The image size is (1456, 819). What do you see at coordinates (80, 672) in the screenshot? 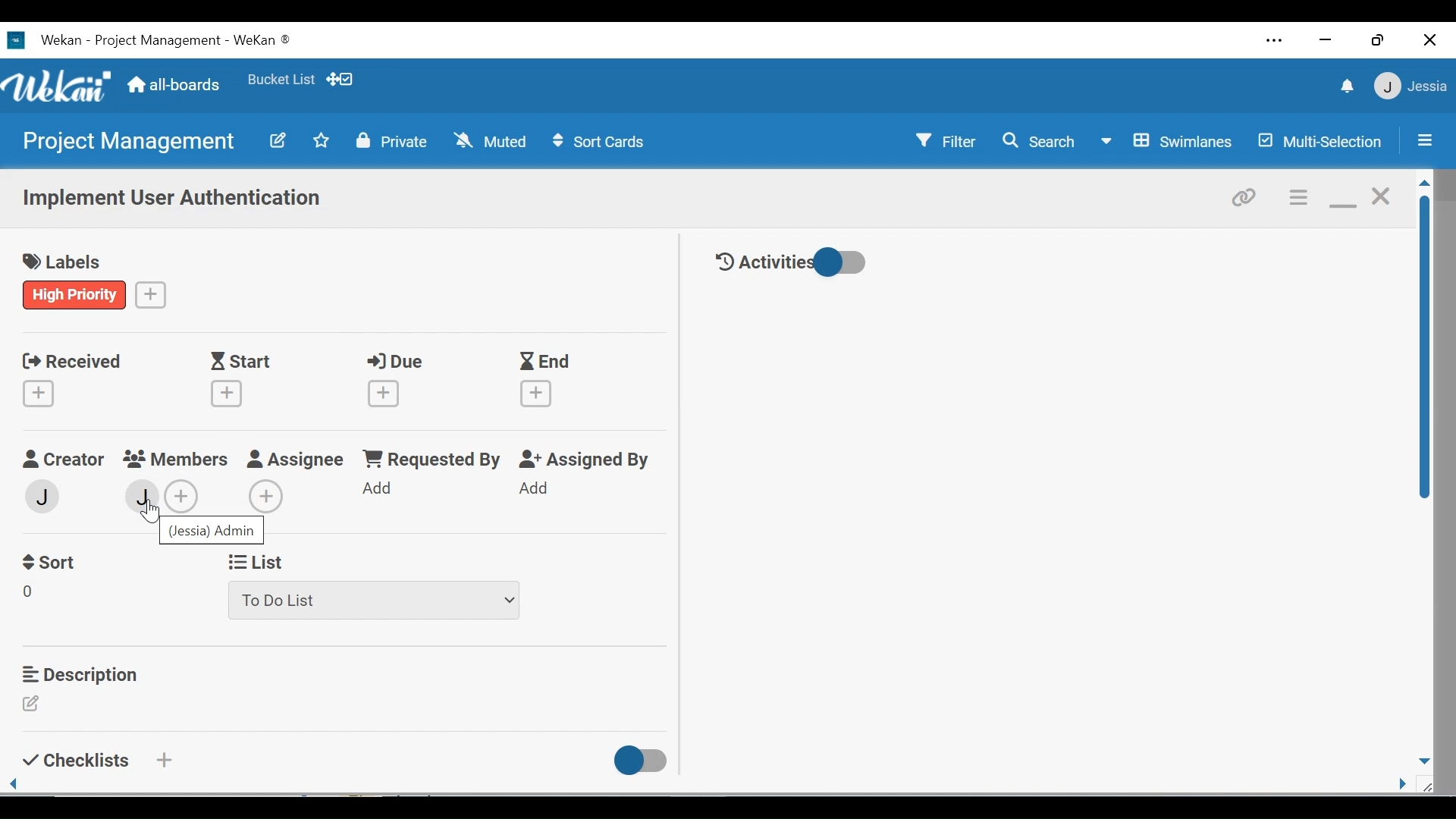
I see `Description` at bounding box center [80, 672].